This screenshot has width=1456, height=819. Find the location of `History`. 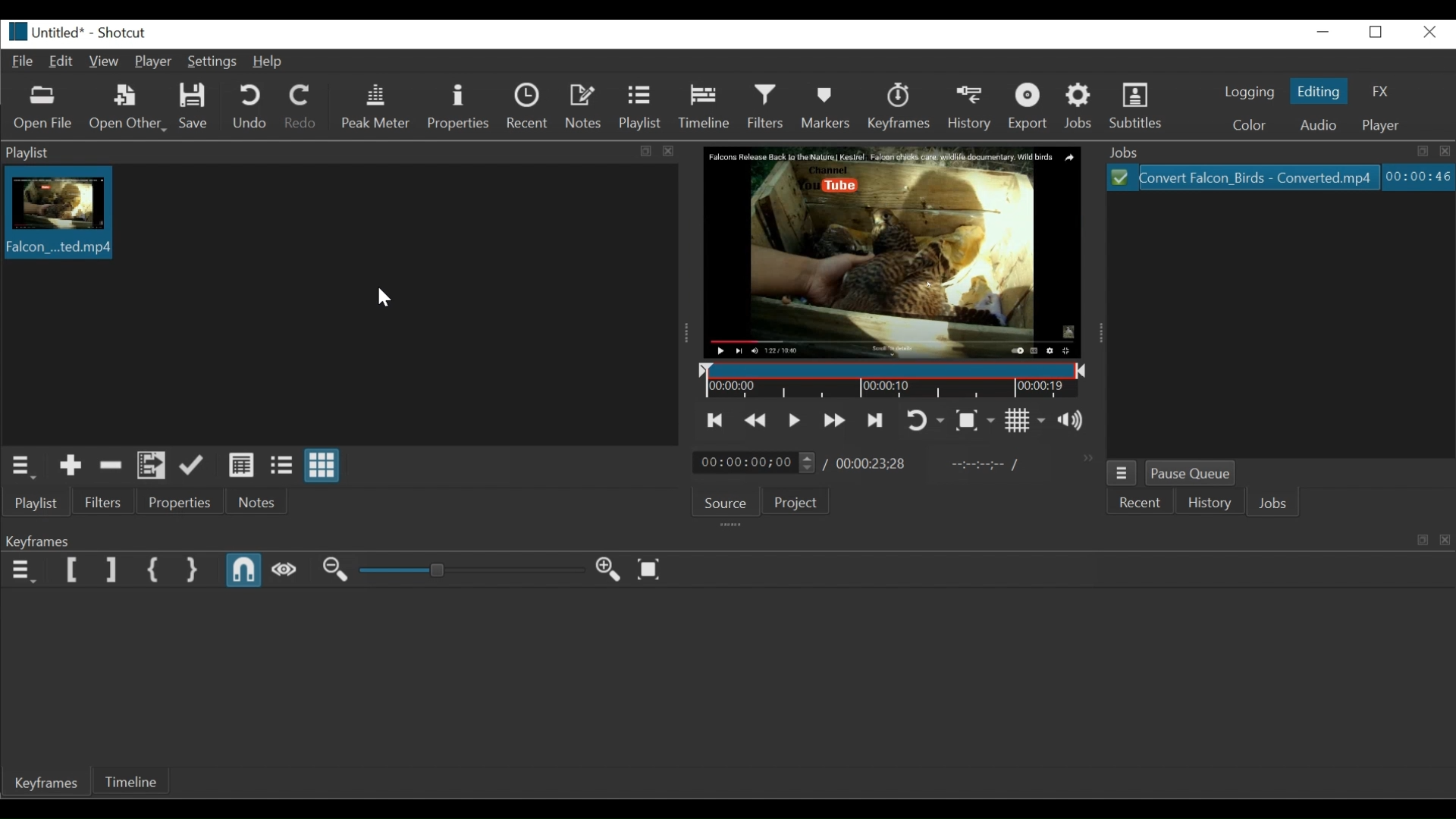

History is located at coordinates (971, 108).